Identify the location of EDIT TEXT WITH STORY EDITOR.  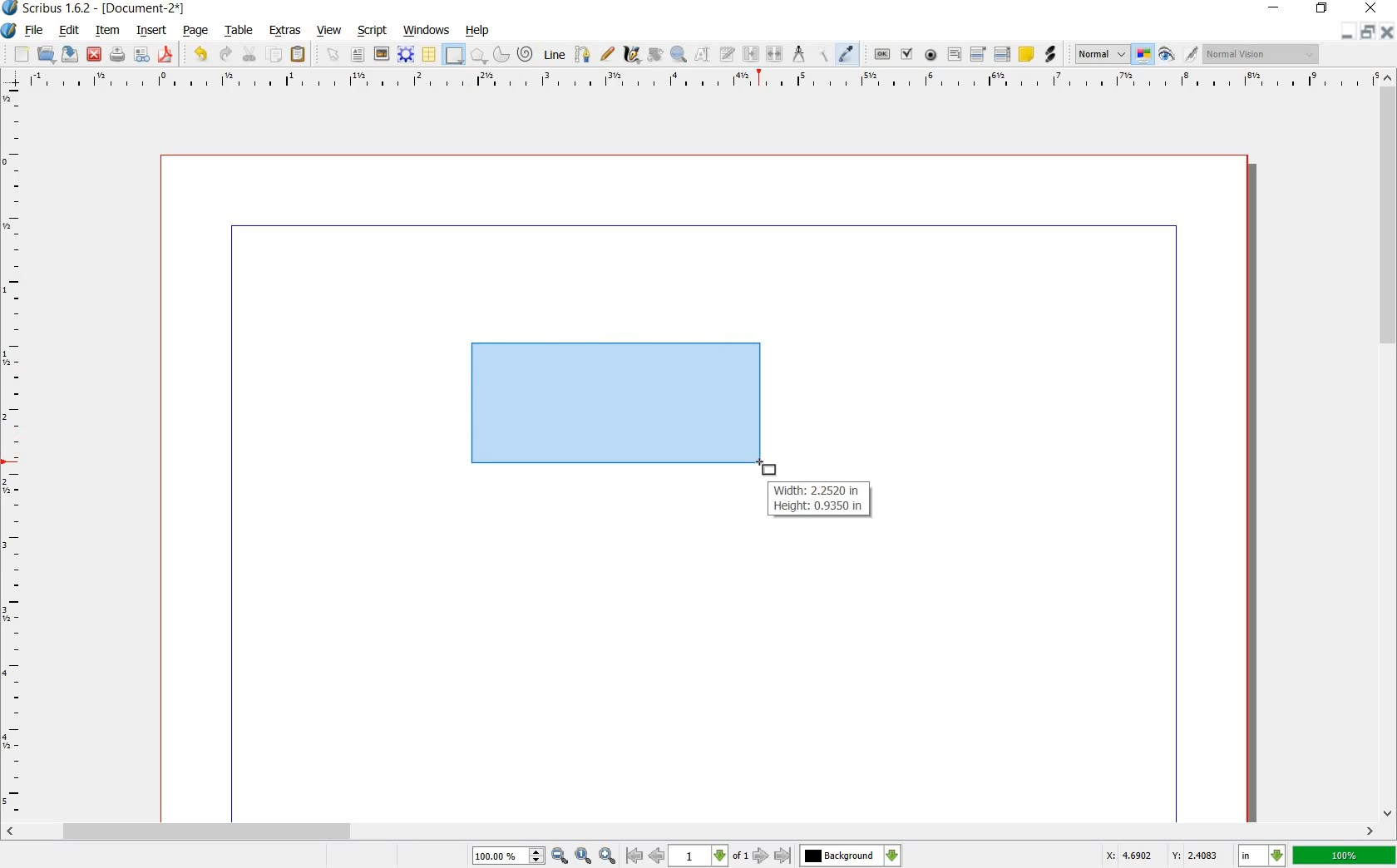
(728, 55).